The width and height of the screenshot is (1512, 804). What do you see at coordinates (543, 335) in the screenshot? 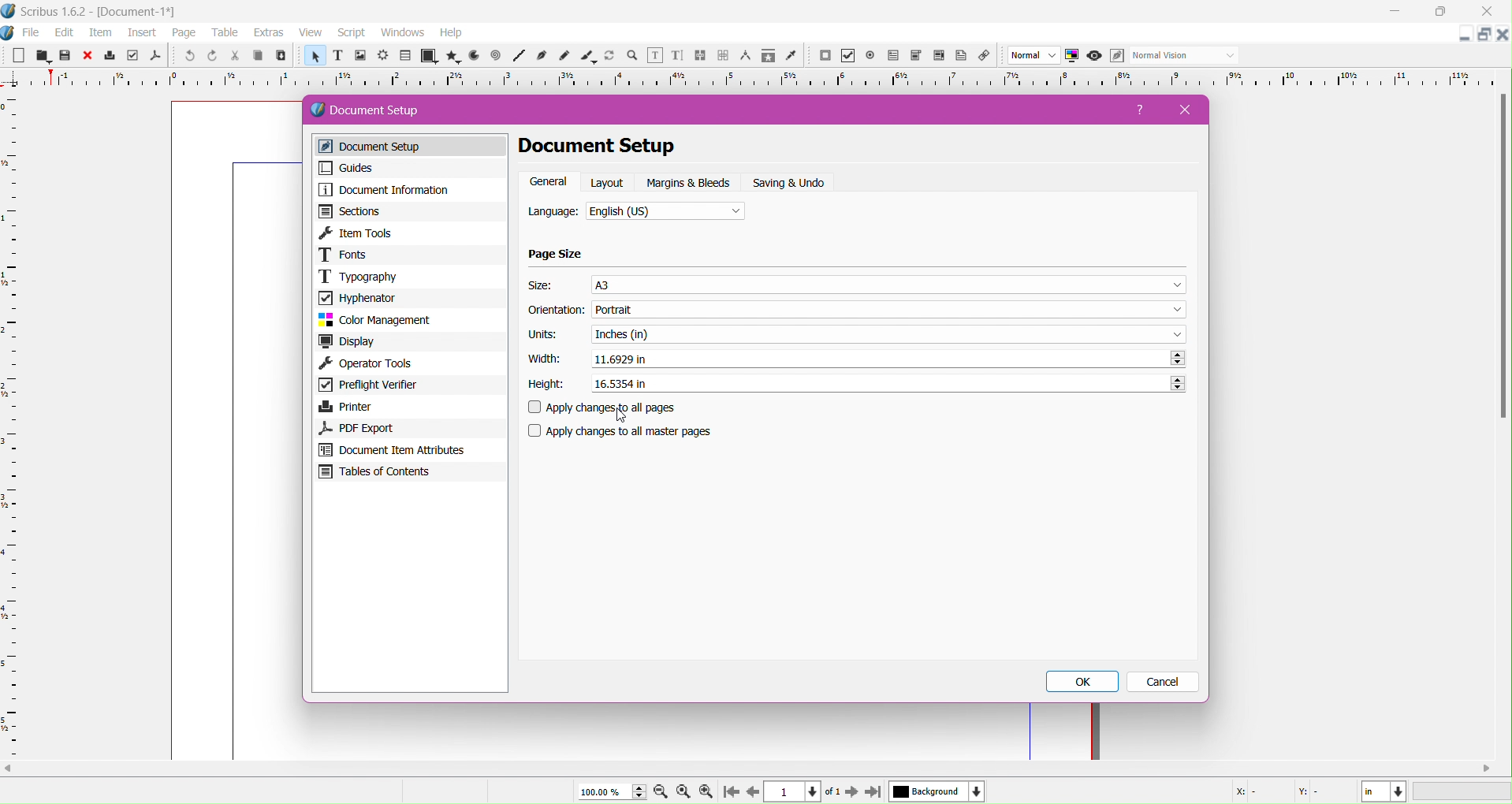
I see `Units` at bounding box center [543, 335].